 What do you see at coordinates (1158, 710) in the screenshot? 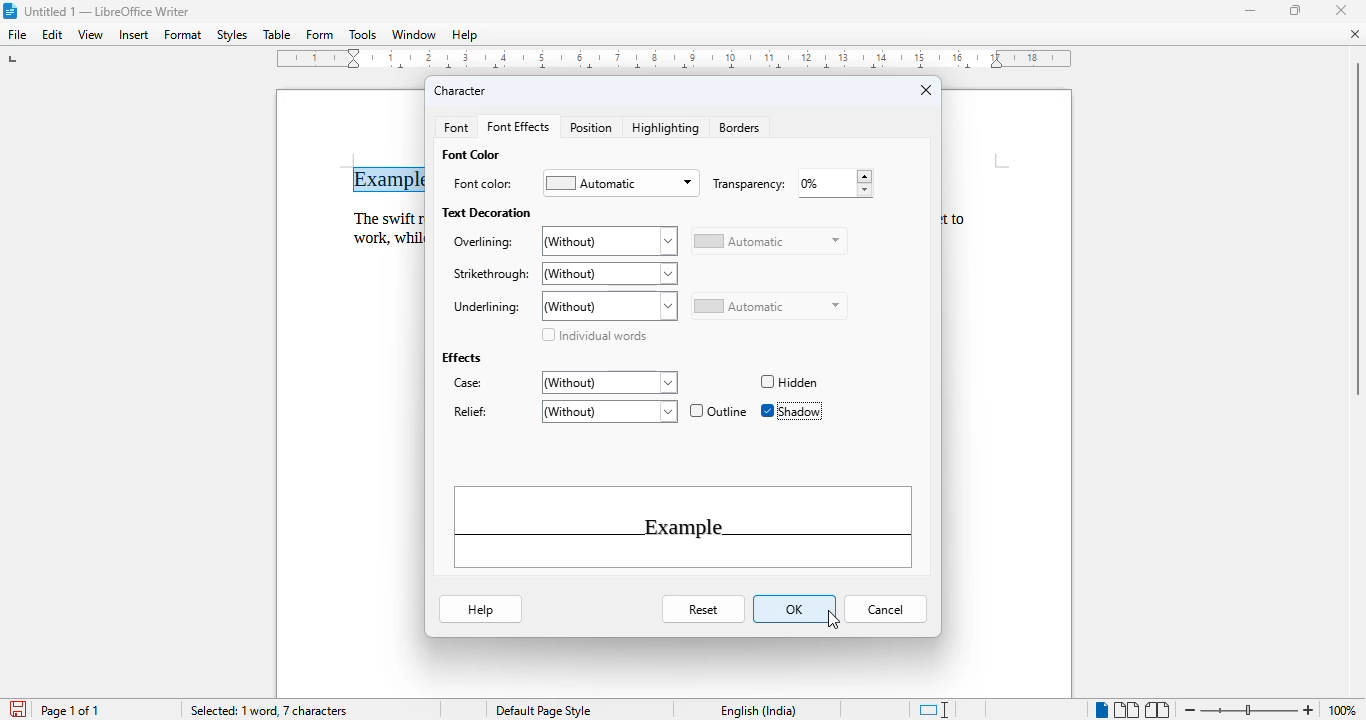
I see `book view` at bounding box center [1158, 710].